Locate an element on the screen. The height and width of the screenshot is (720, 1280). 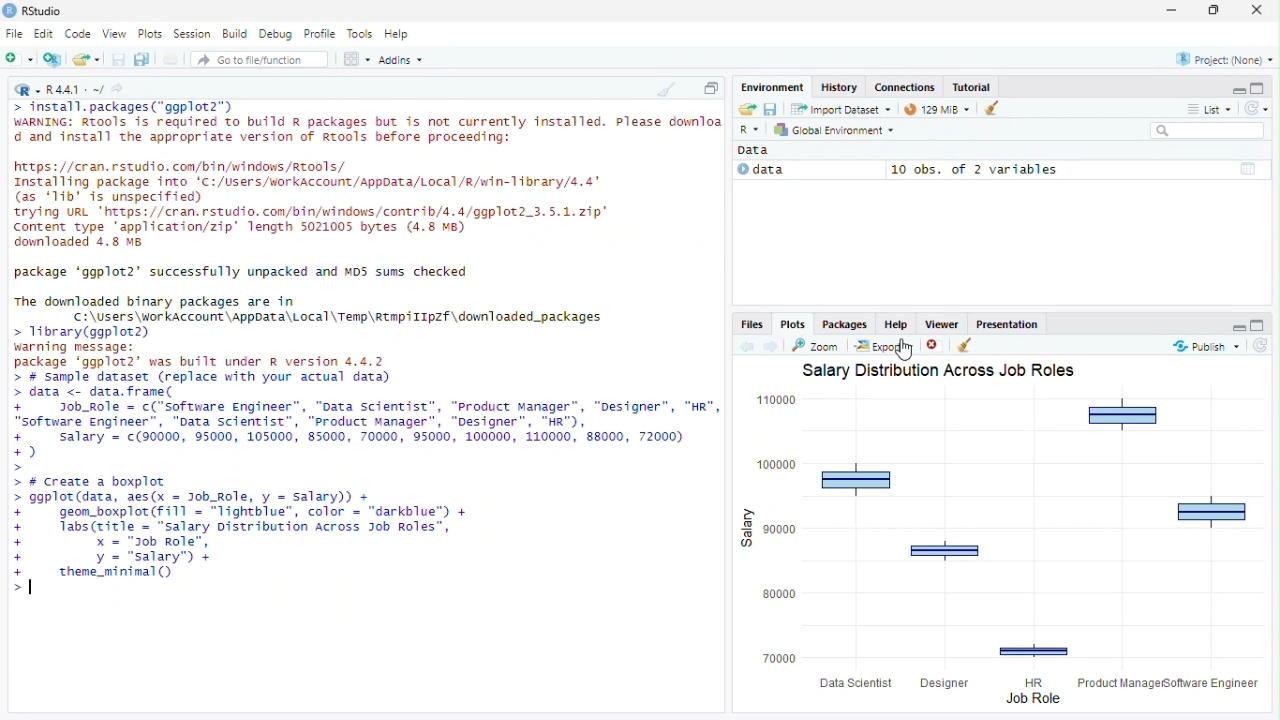
View the current working directory is located at coordinates (117, 89).